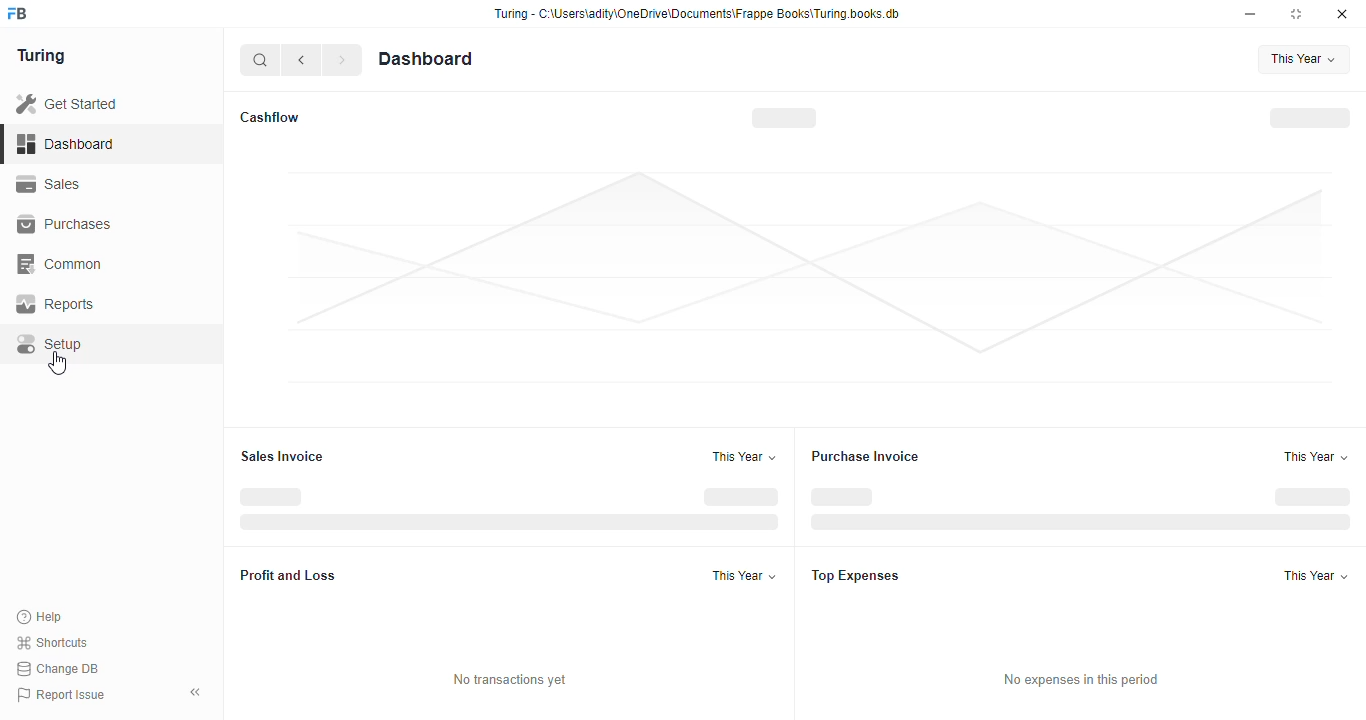  Describe the element at coordinates (747, 578) in the screenshot. I see `This Year ` at that location.